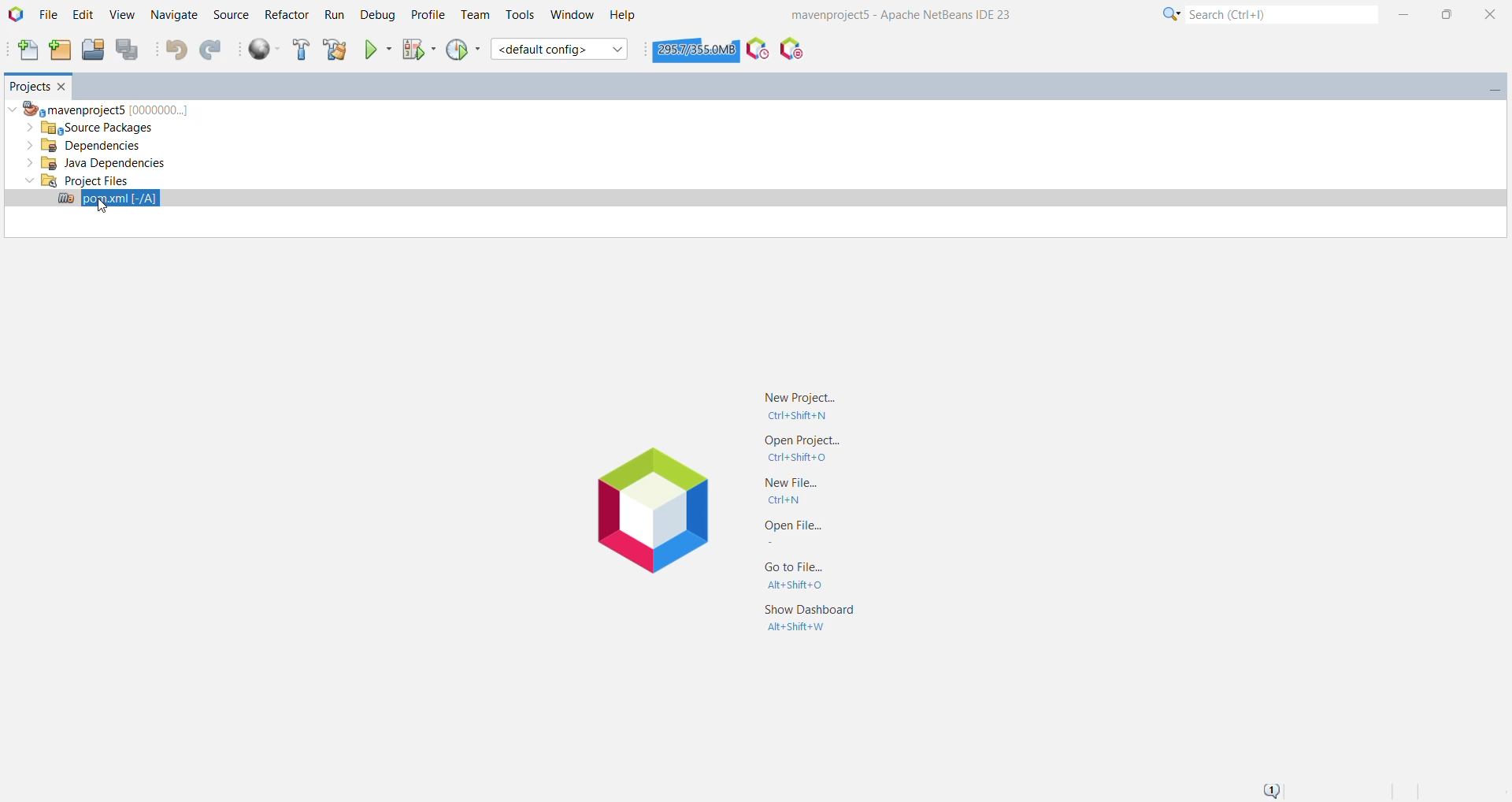 This screenshot has height=802, width=1512. Describe the element at coordinates (98, 128) in the screenshot. I see `Source Packages` at that location.